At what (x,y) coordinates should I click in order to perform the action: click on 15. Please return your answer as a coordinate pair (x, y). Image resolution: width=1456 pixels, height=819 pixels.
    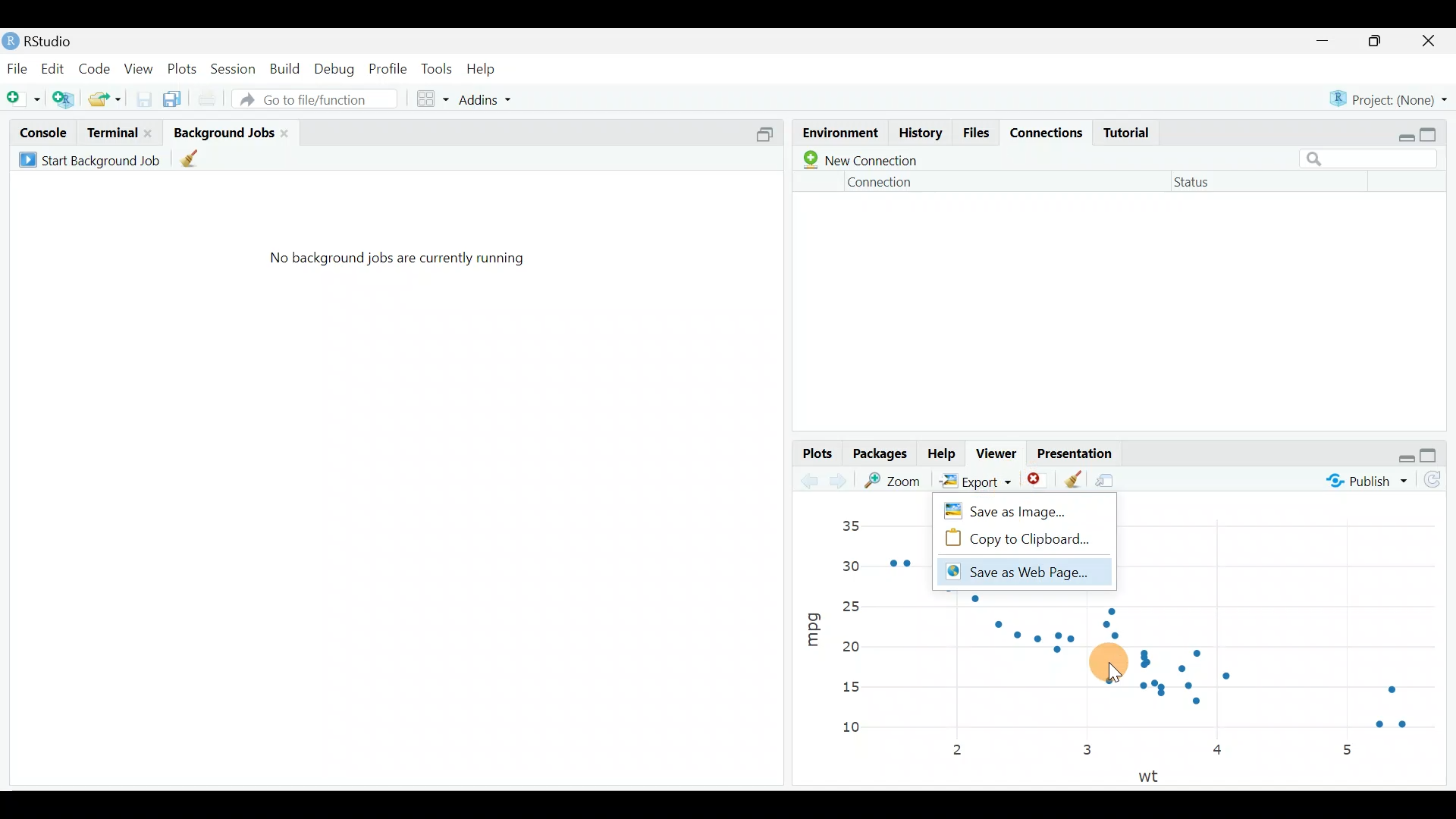
    Looking at the image, I should click on (849, 688).